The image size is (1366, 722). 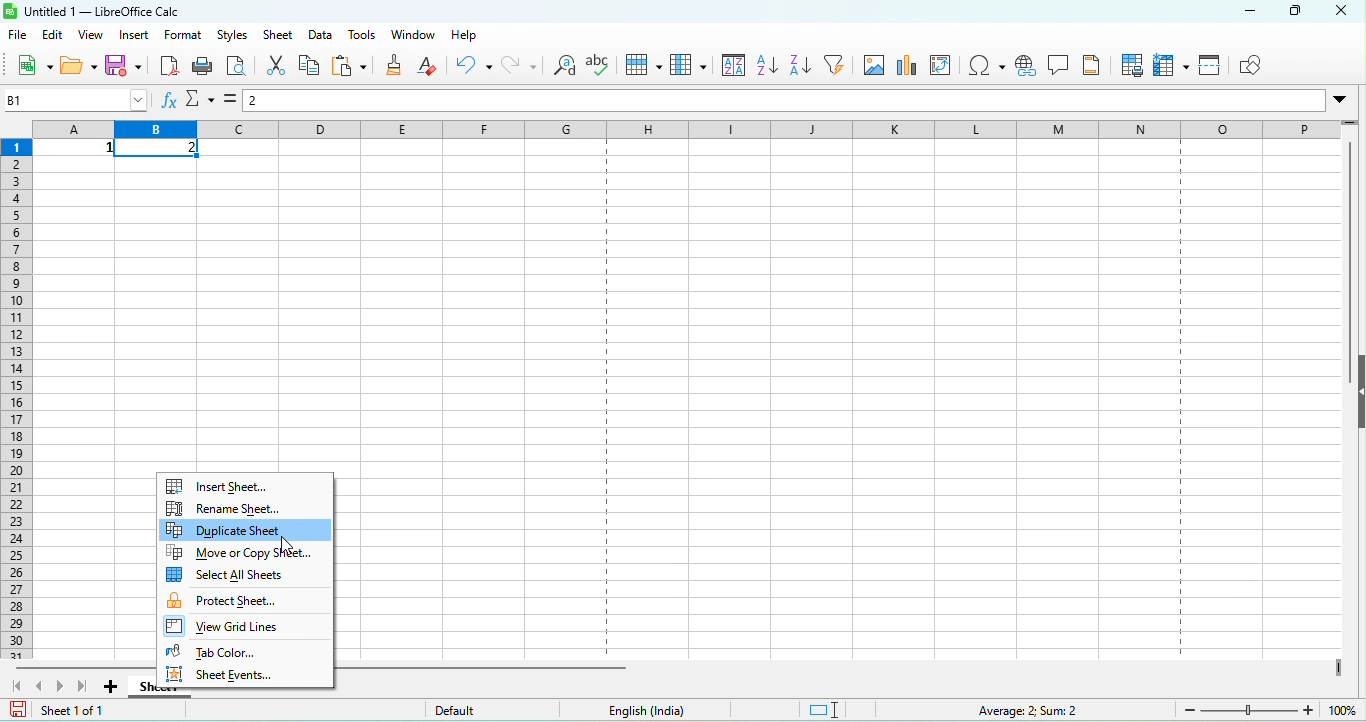 What do you see at coordinates (689, 67) in the screenshot?
I see `column` at bounding box center [689, 67].